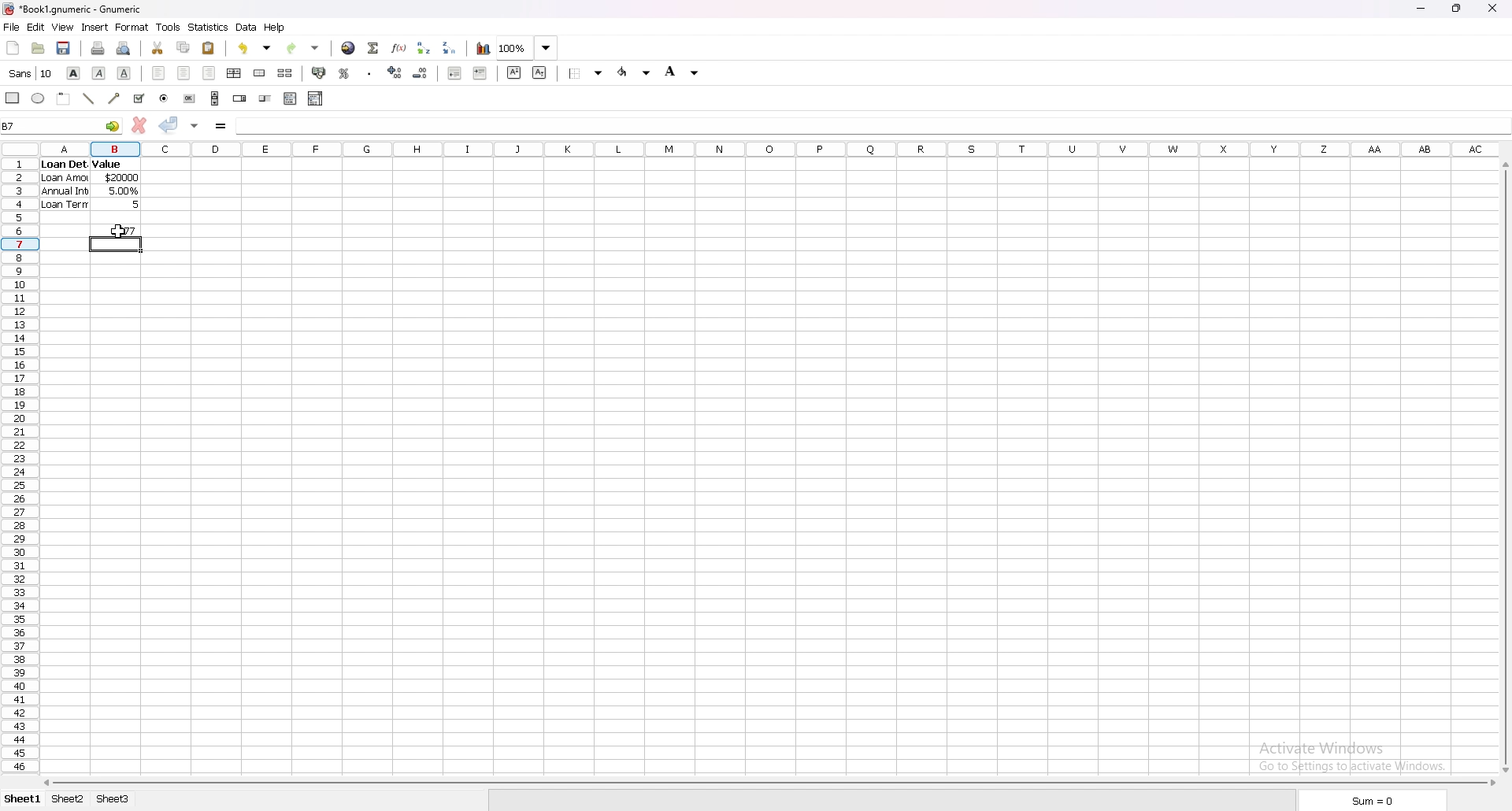  What do you see at coordinates (586, 72) in the screenshot?
I see `border` at bounding box center [586, 72].